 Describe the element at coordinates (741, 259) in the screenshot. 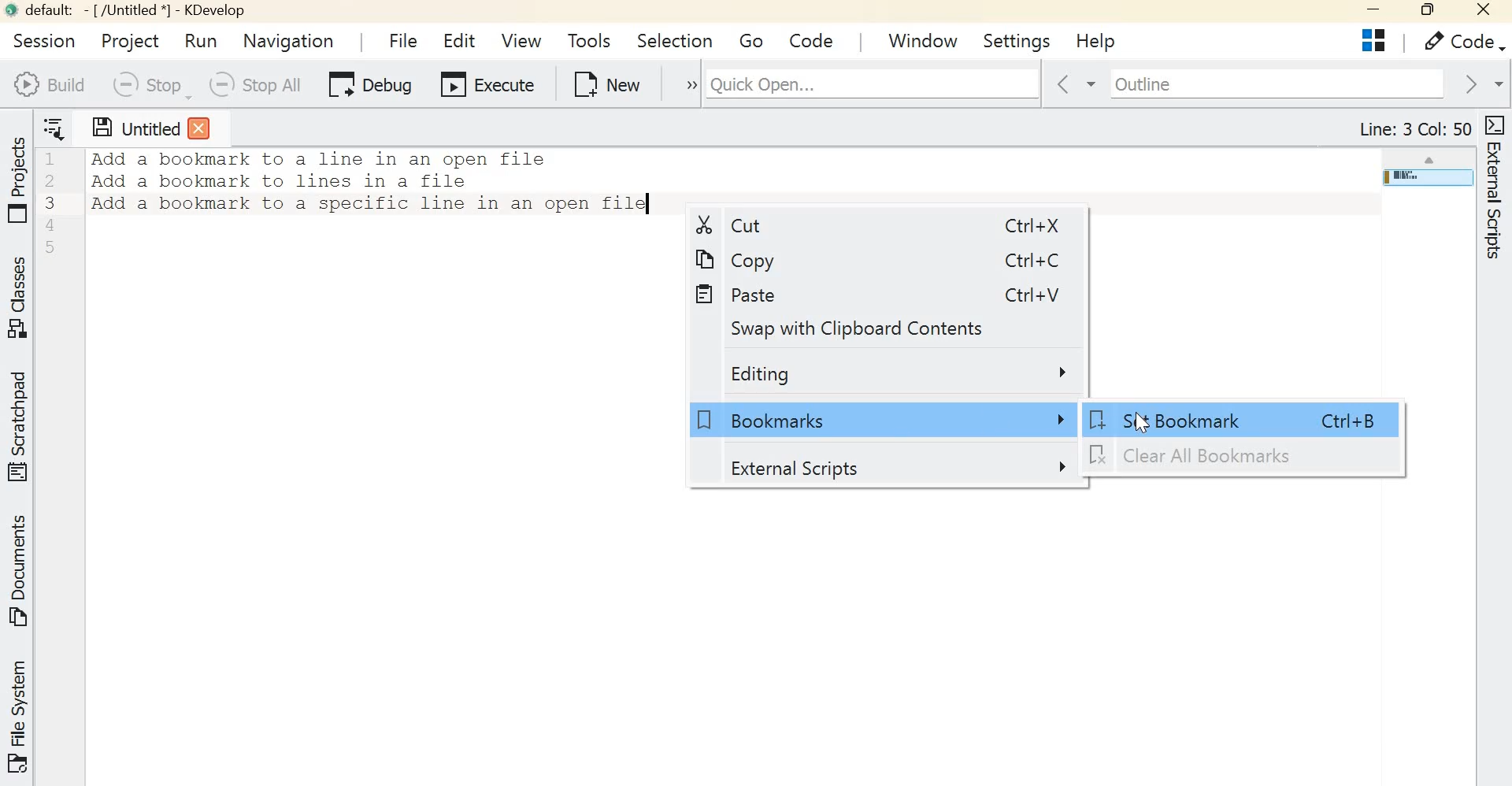

I see `copy` at that location.